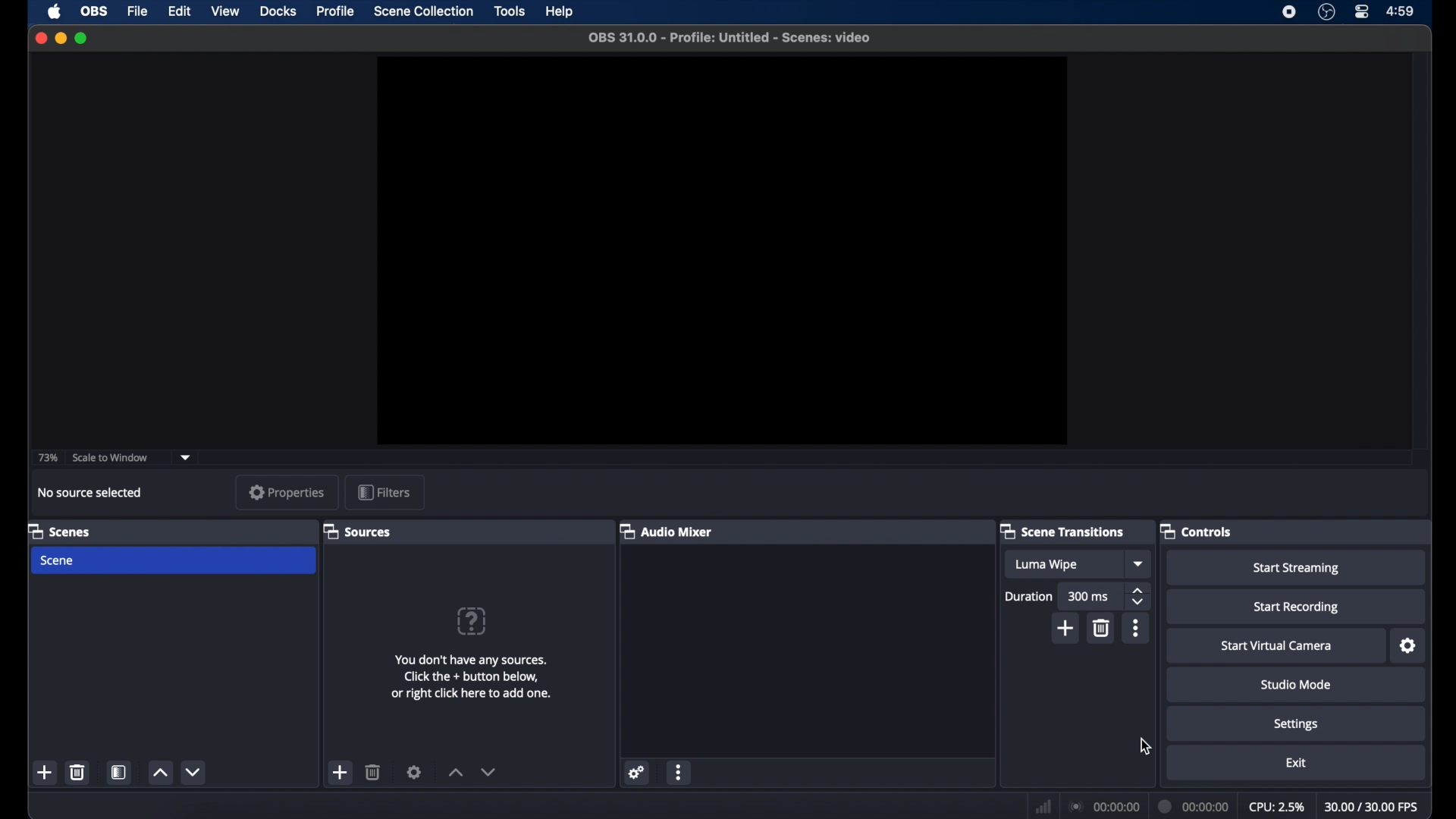  What do you see at coordinates (1195, 807) in the screenshot?
I see `00:00:00` at bounding box center [1195, 807].